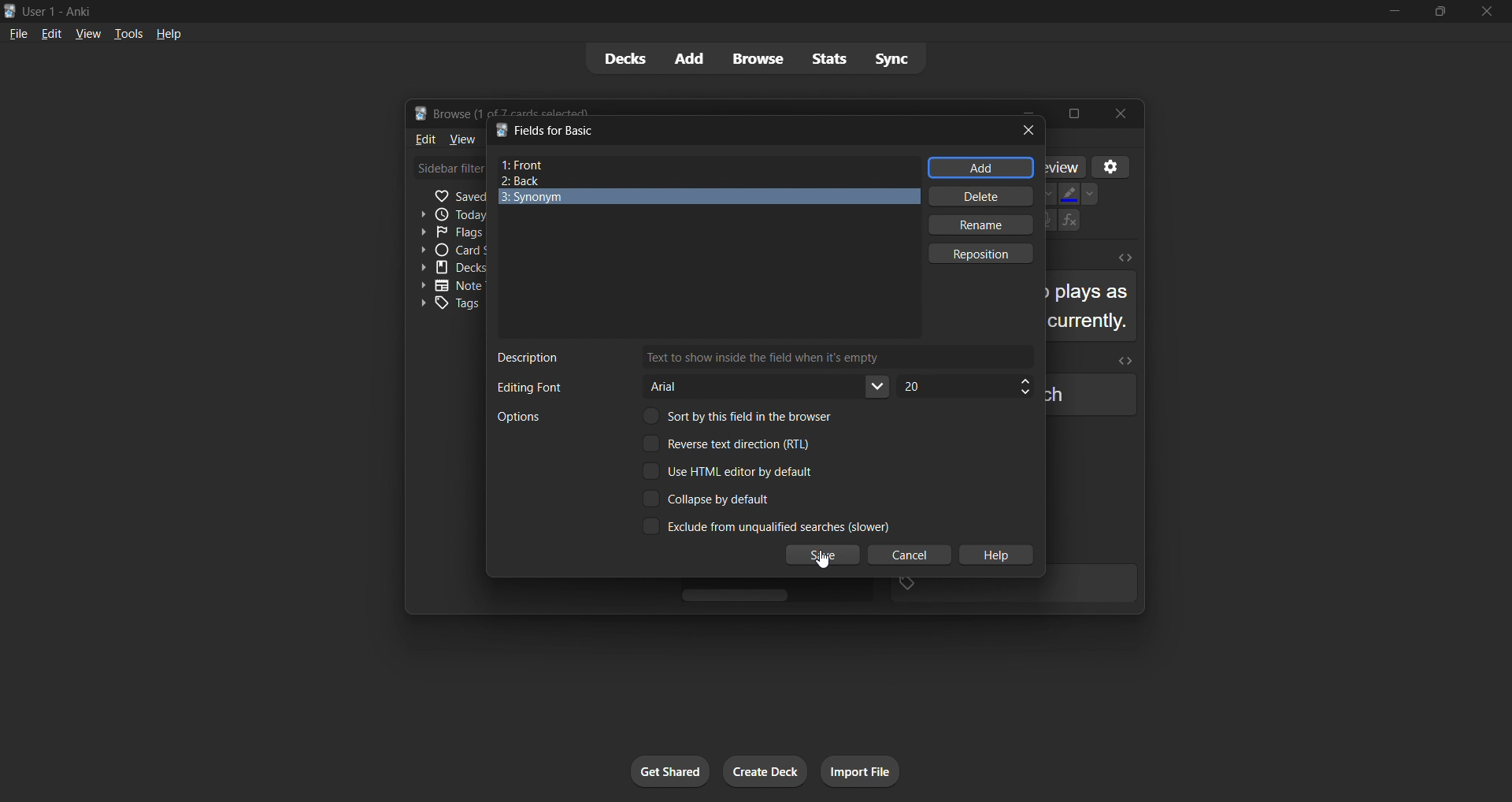  What do you see at coordinates (710, 200) in the screenshot?
I see `synonym field name` at bounding box center [710, 200].